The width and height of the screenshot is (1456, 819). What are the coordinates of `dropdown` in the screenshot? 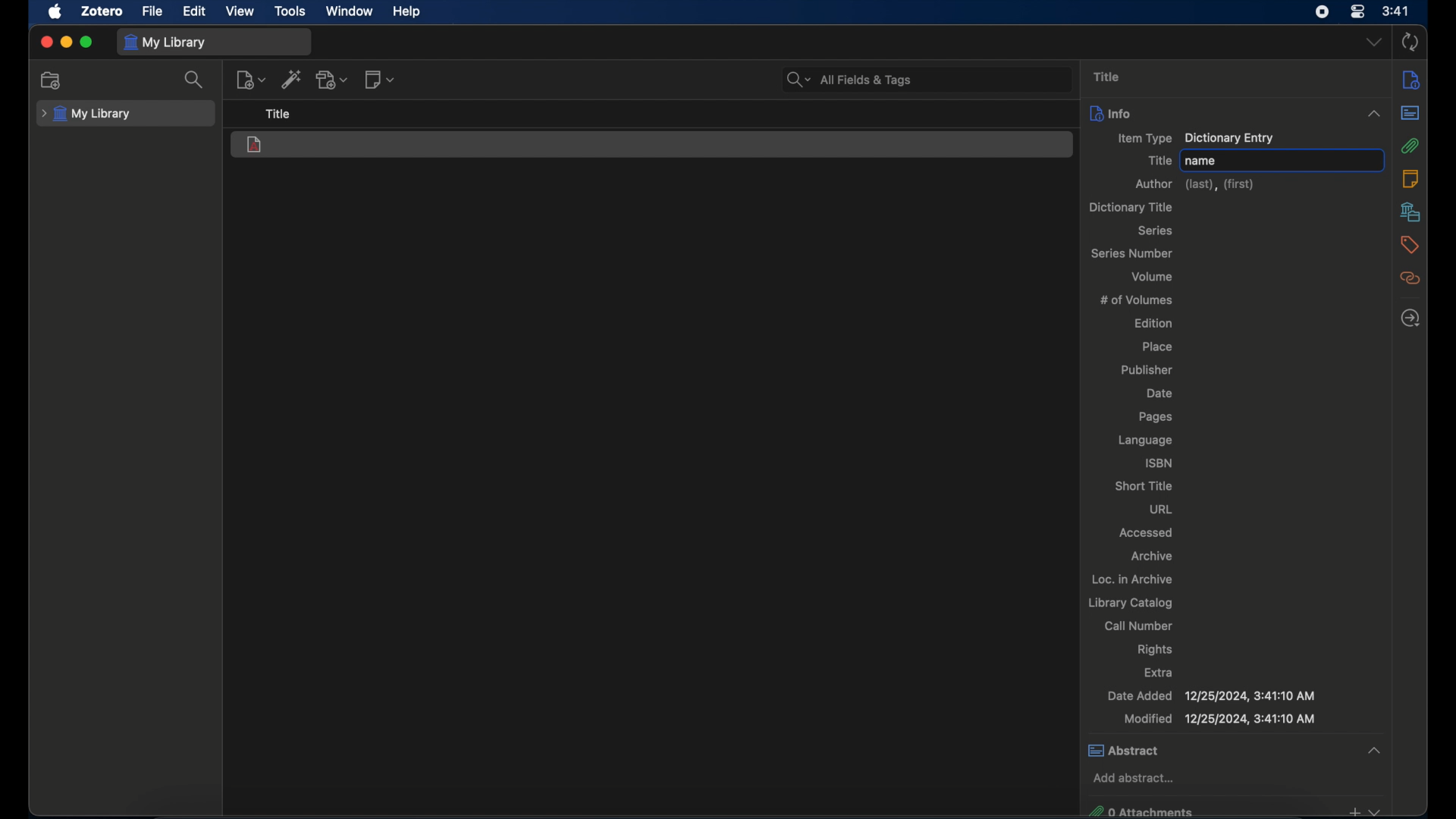 It's located at (1373, 42).